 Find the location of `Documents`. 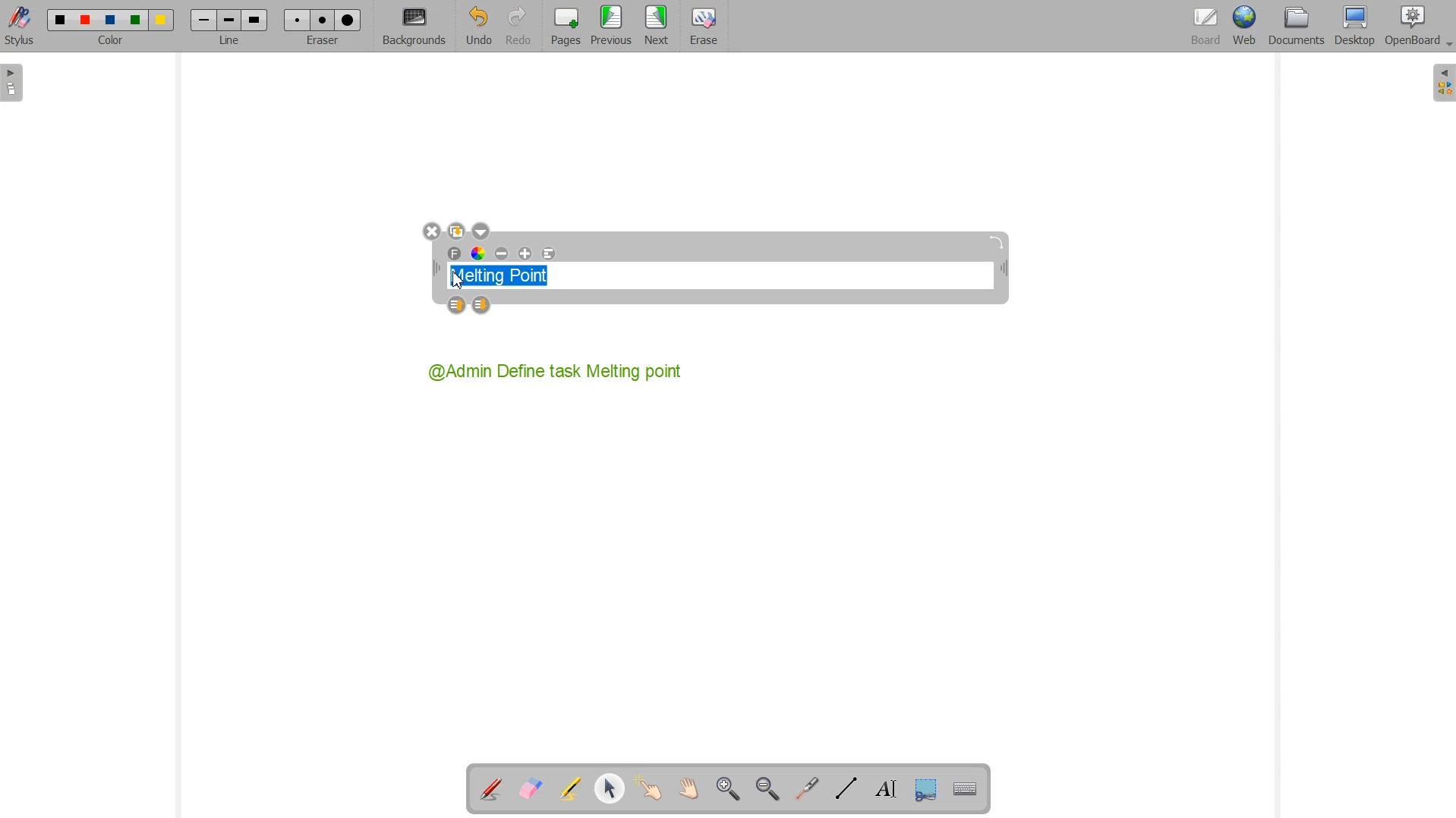

Documents is located at coordinates (1296, 27).